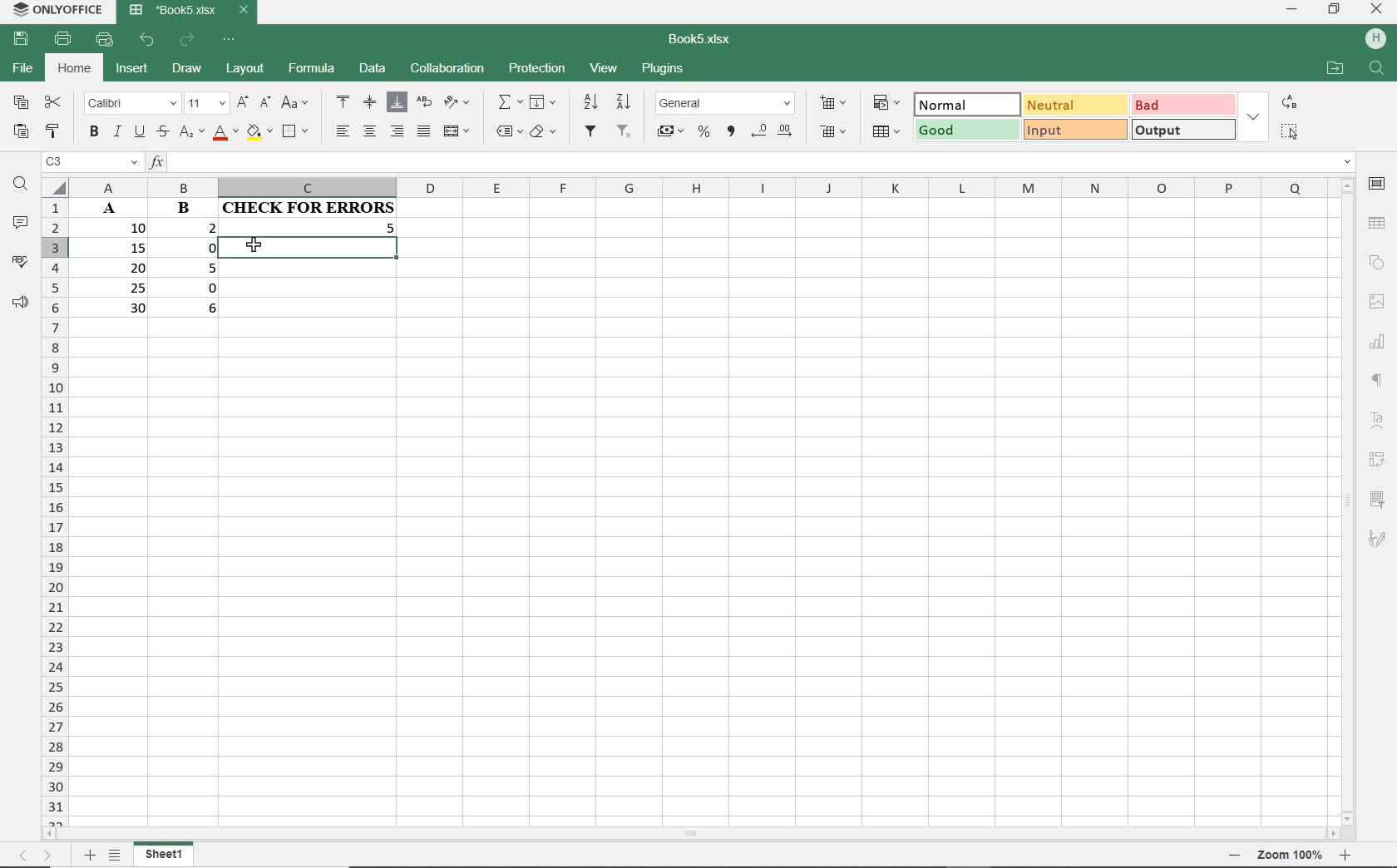  I want to click on SHAPE, so click(1375, 261).